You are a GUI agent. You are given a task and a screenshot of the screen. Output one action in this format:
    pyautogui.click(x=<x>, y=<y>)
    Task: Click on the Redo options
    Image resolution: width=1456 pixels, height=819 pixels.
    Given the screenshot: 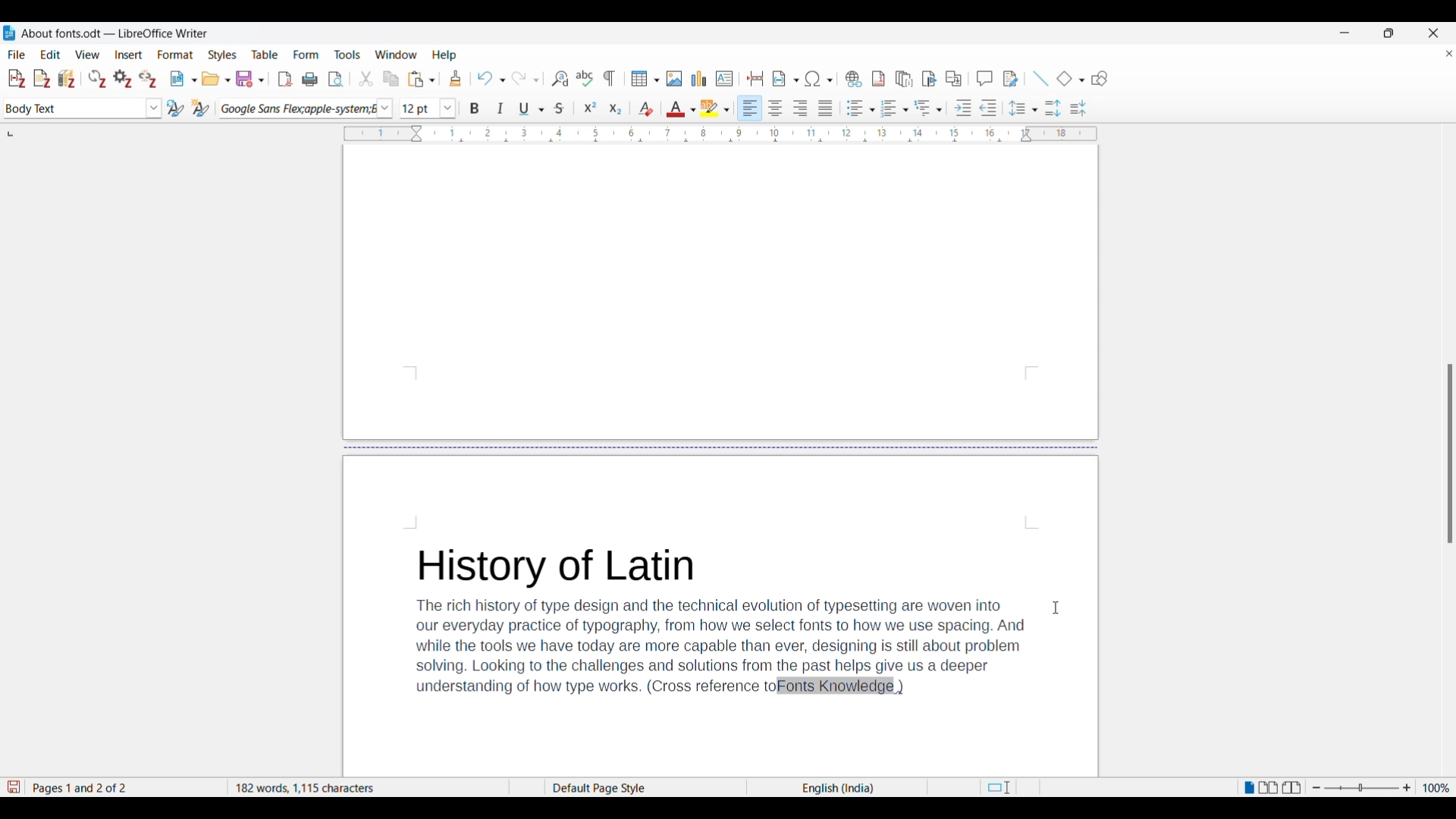 What is the action you would take?
    pyautogui.click(x=525, y=79)
    